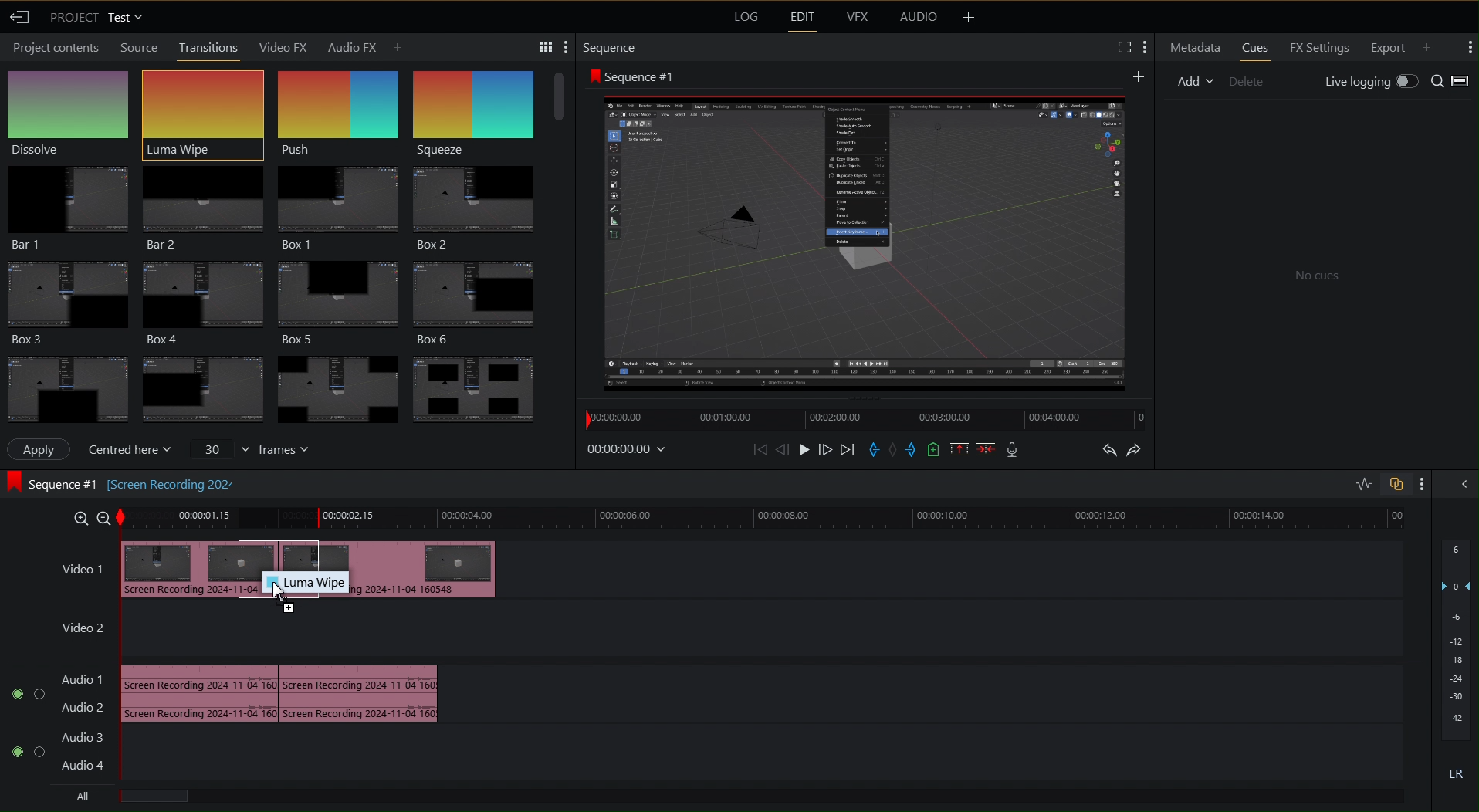 This screenshot has width=1479, height=812. What do you see at coordinates (825, 450) in the screenshot?
I see `Move Forward` at bounding box center [825, 450].